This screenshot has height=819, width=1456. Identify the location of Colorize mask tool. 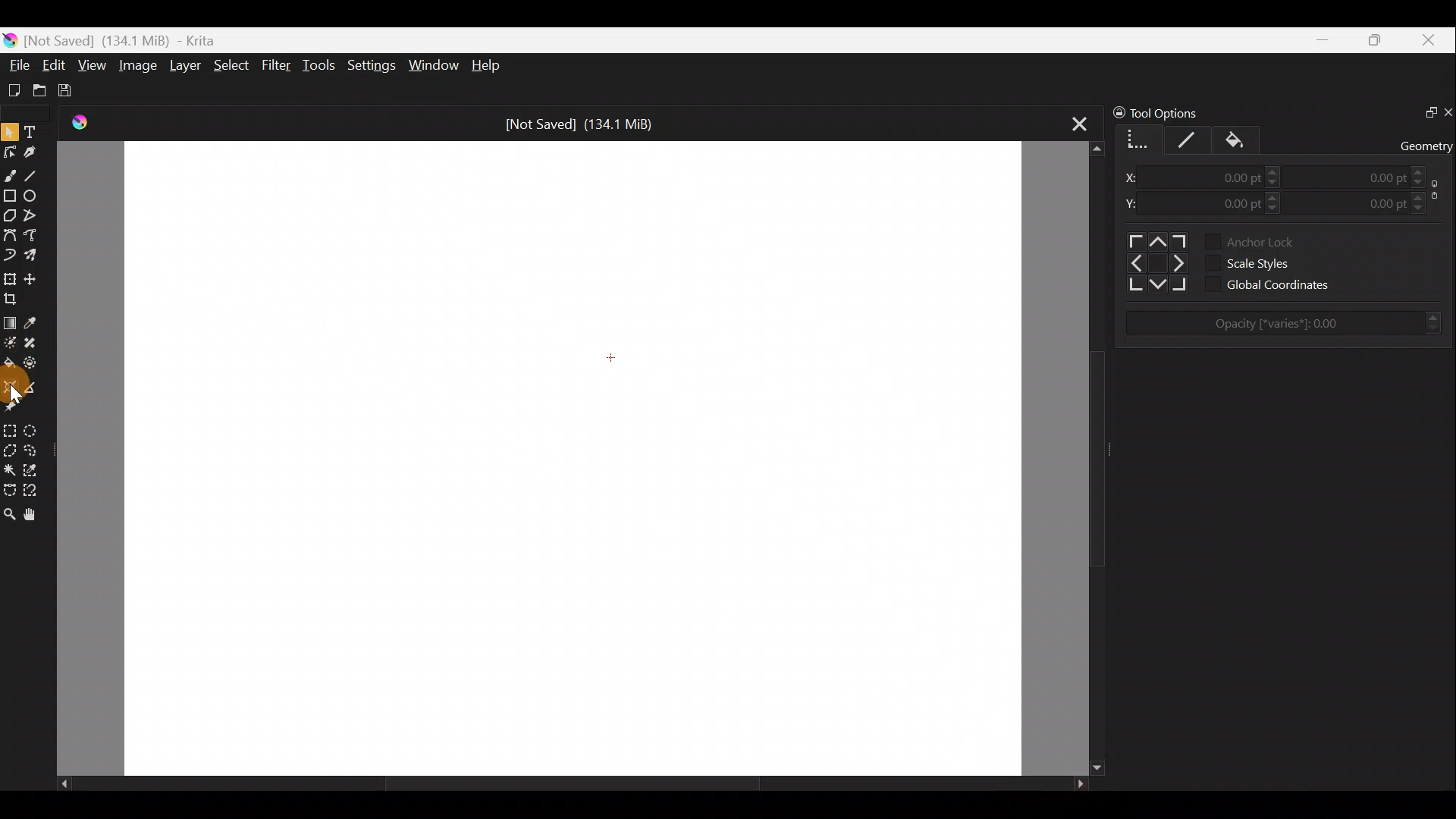
(10, 343).